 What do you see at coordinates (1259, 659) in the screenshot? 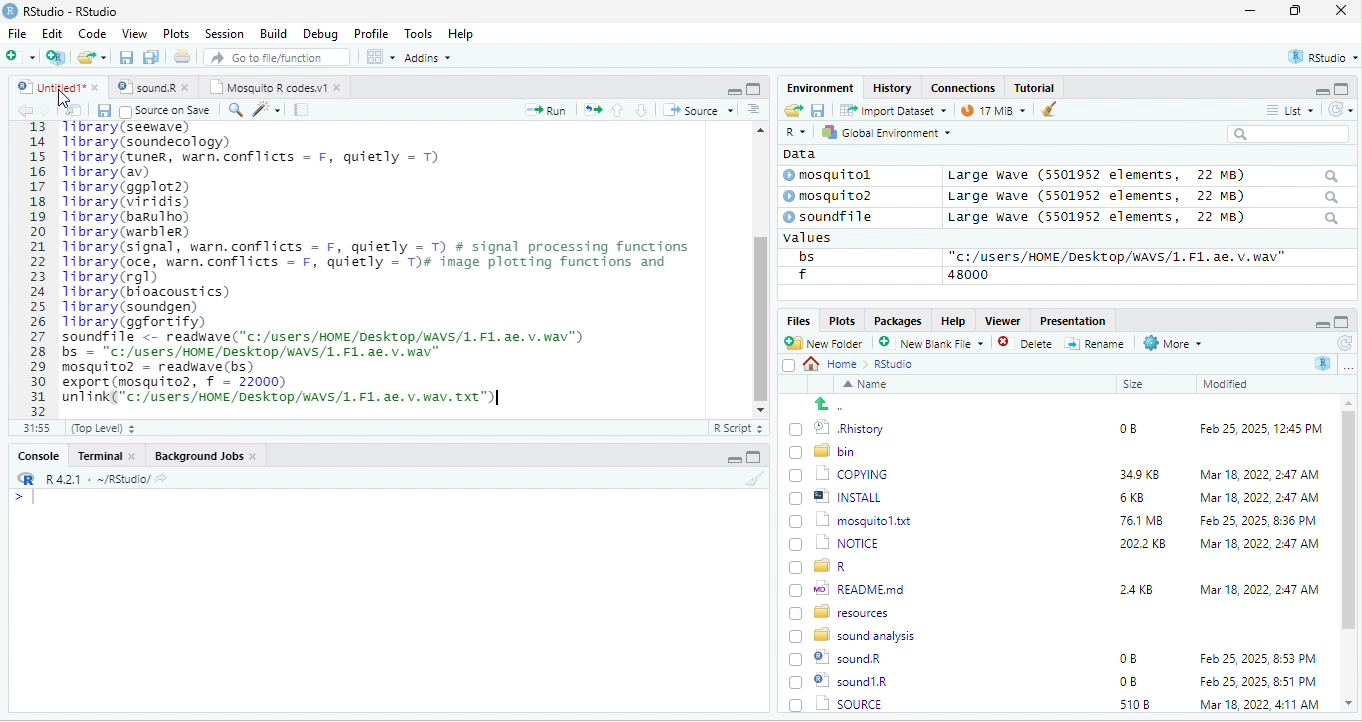
I see `Feb 25, 2025, 8:51 PM` at bounding box center [1259, 659].